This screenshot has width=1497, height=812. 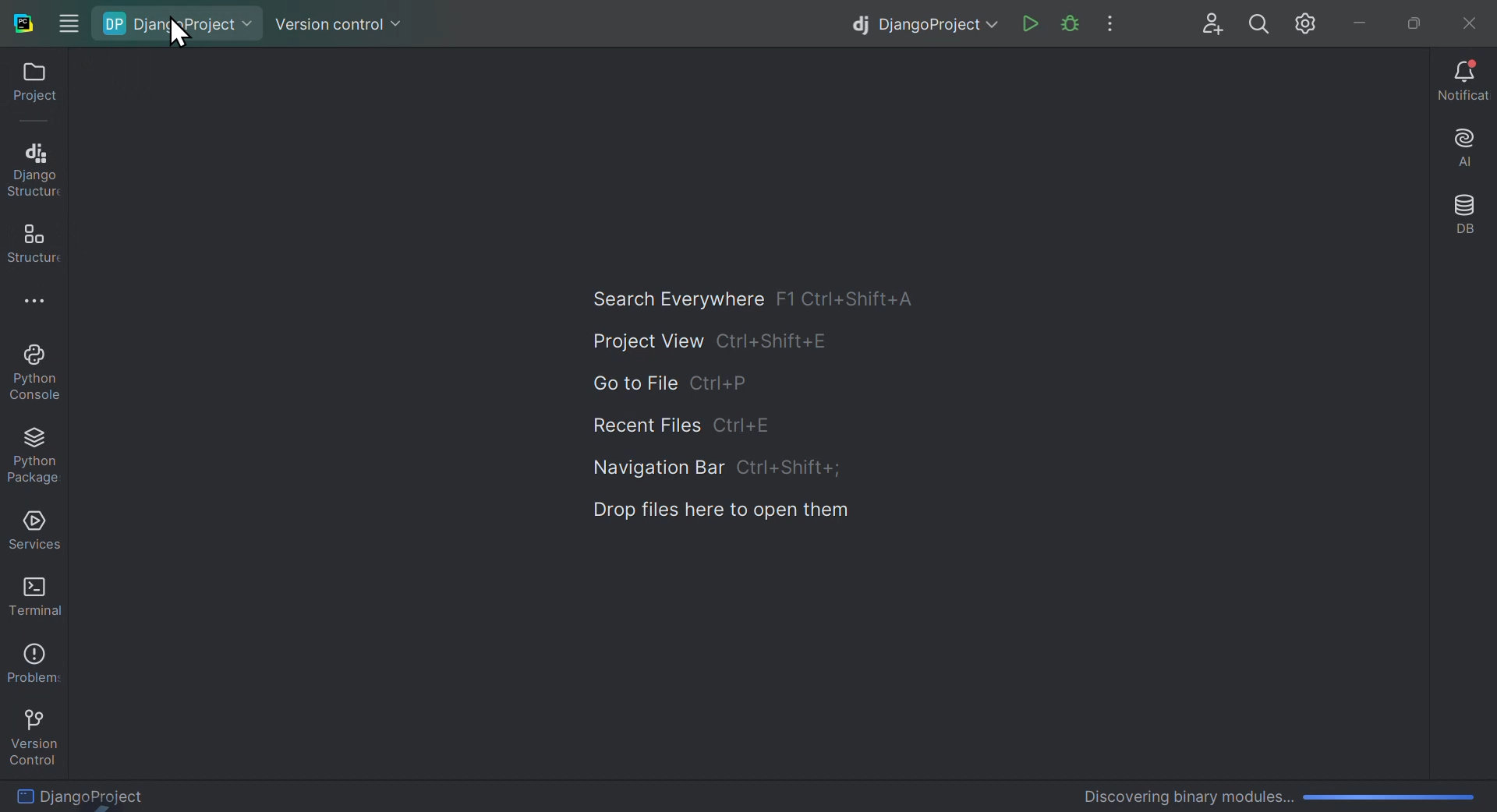 What do you see at coordinates (918, 23) in the screenshot?
I see `Django project` at bounding box center [918, 23].